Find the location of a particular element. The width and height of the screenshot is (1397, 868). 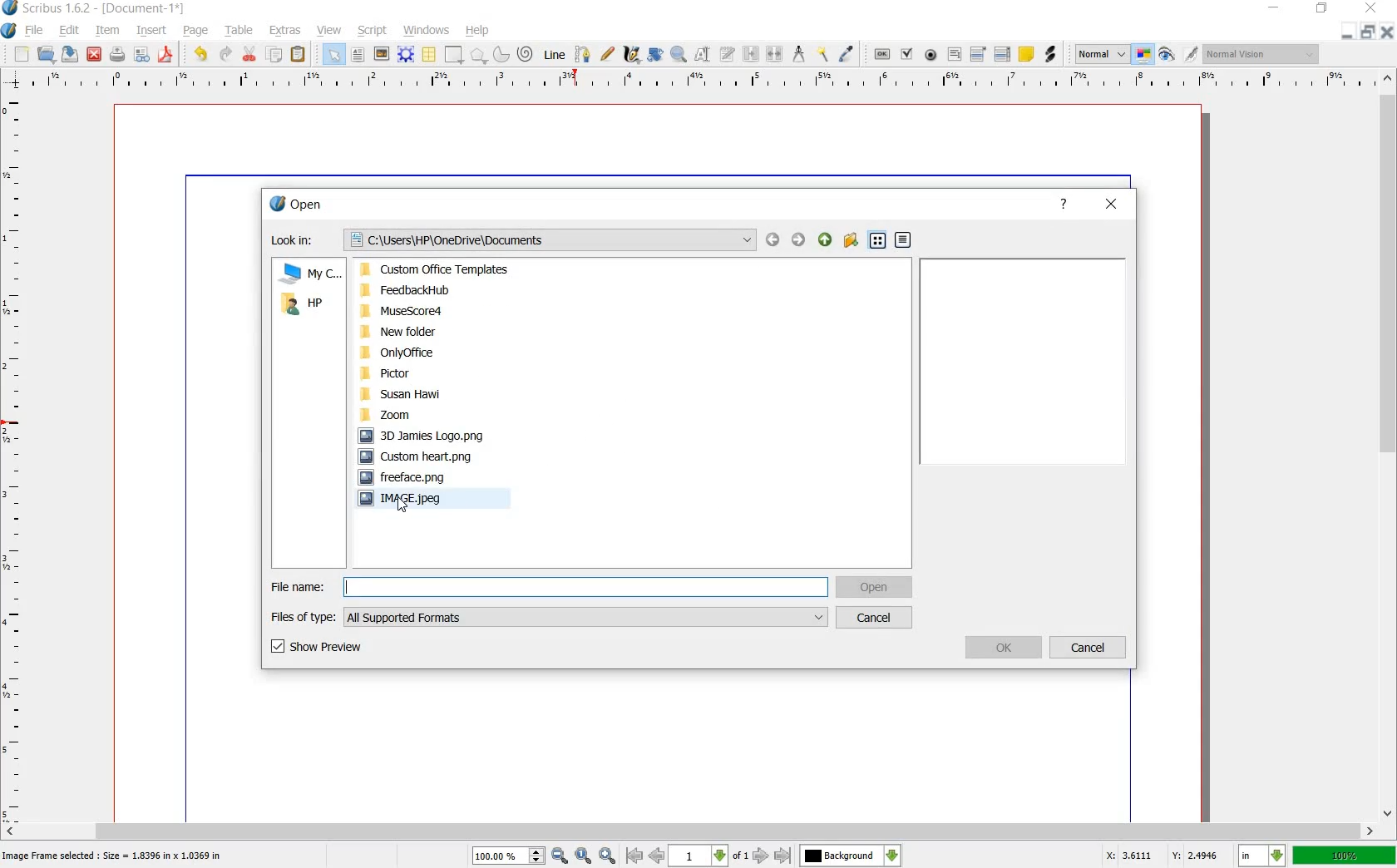

scrollbar is located at coordinates (1389, 447).